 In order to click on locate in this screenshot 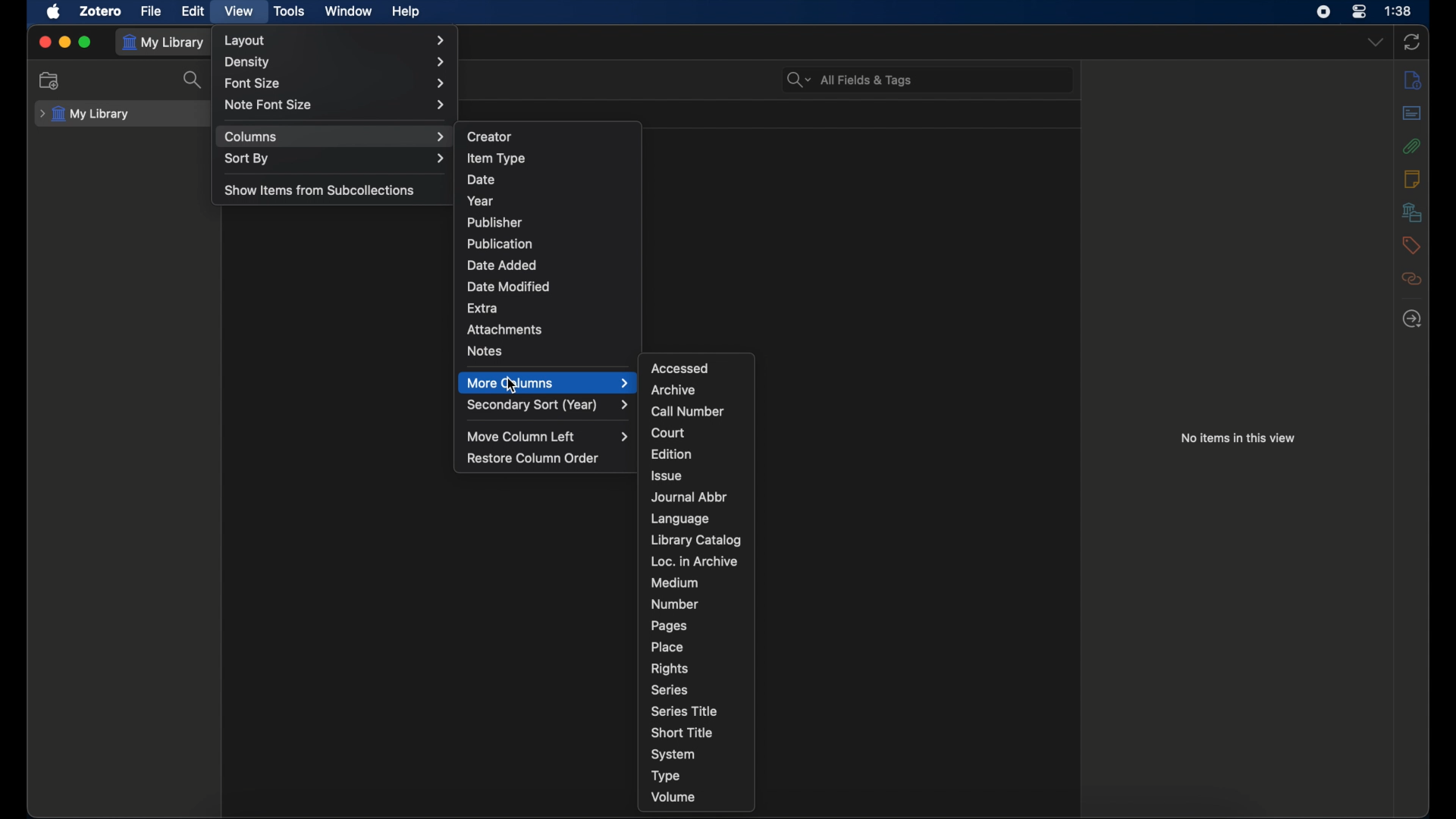, I will do `click(1412, 319)`.